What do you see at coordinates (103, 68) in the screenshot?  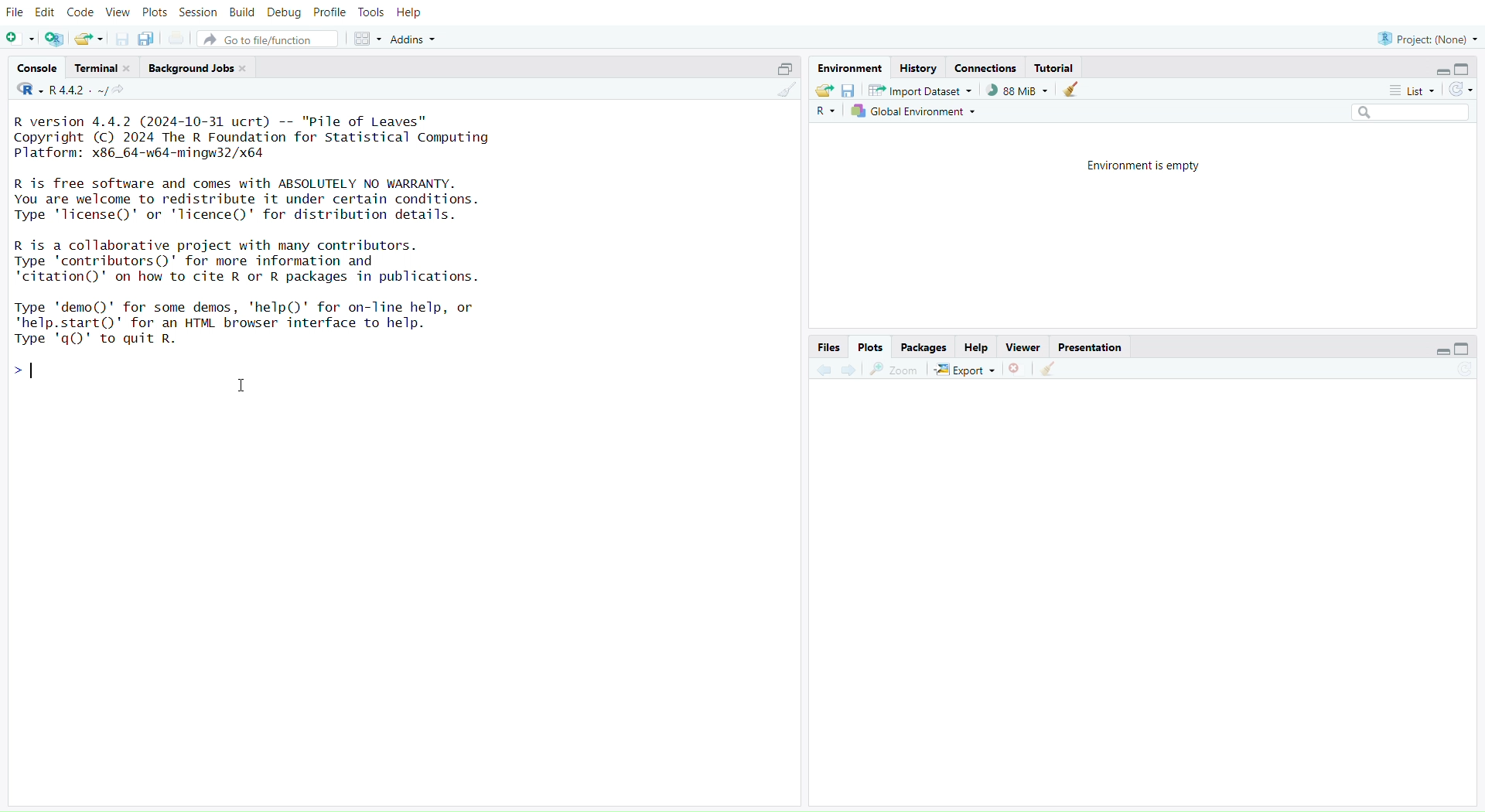 I see `terminal` at bounding box center [103, 68].